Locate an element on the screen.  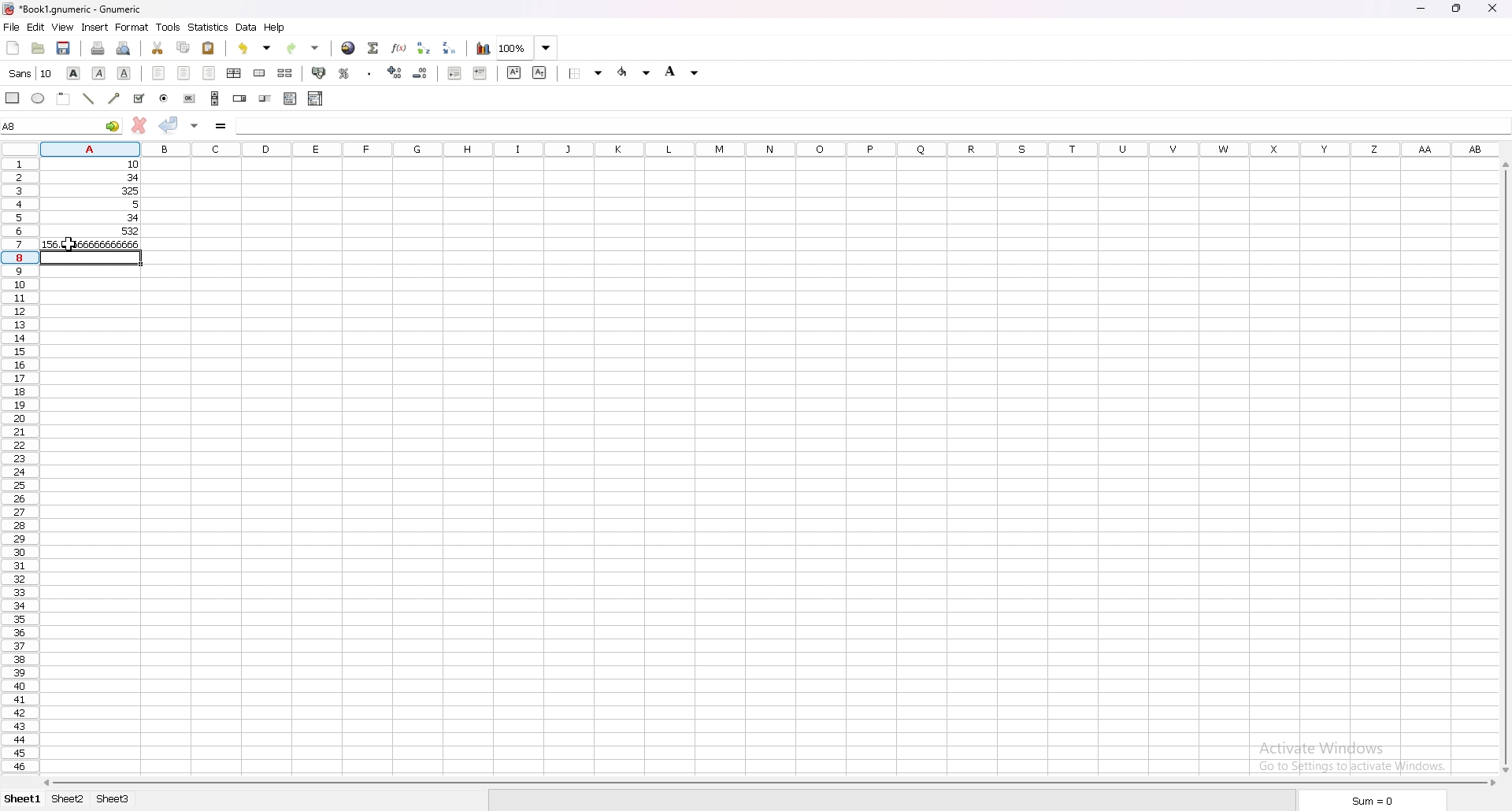
average(A1,A6) is located at coordinates (277, 128).